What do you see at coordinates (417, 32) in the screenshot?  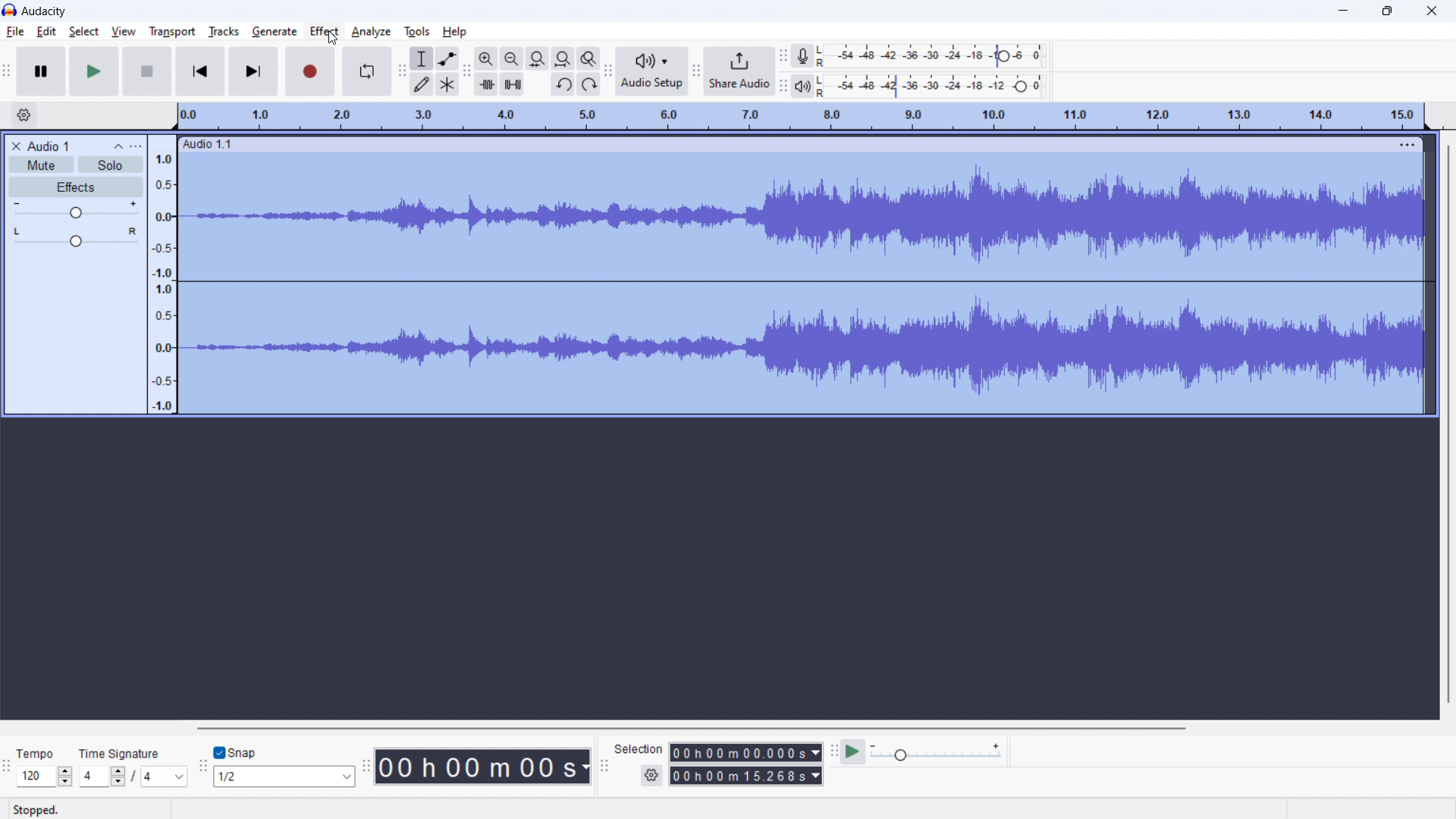 I see `tools` at bounding box center [417, 32].